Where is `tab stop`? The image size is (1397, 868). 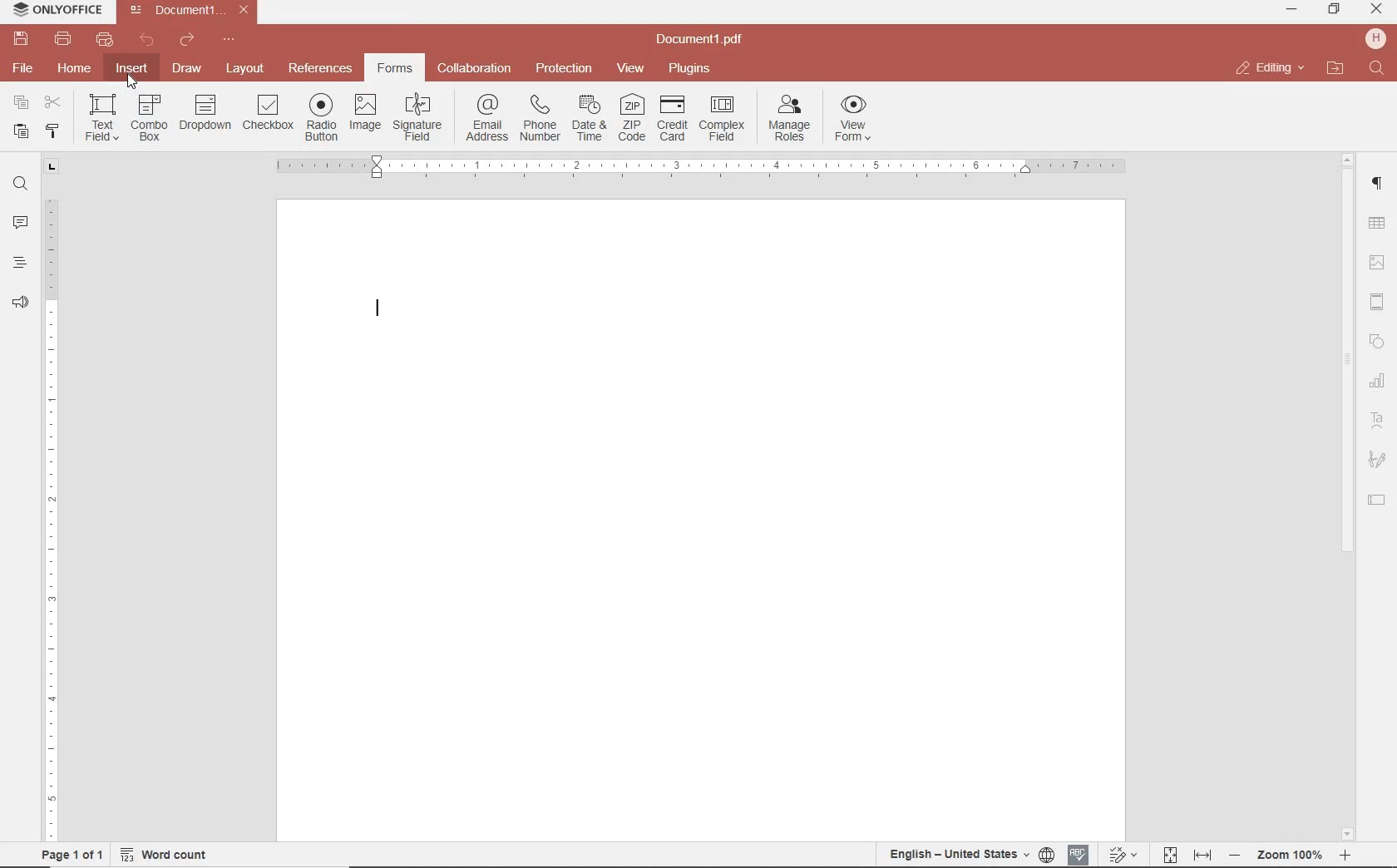 tab stop is located at coordinates (52, 165).